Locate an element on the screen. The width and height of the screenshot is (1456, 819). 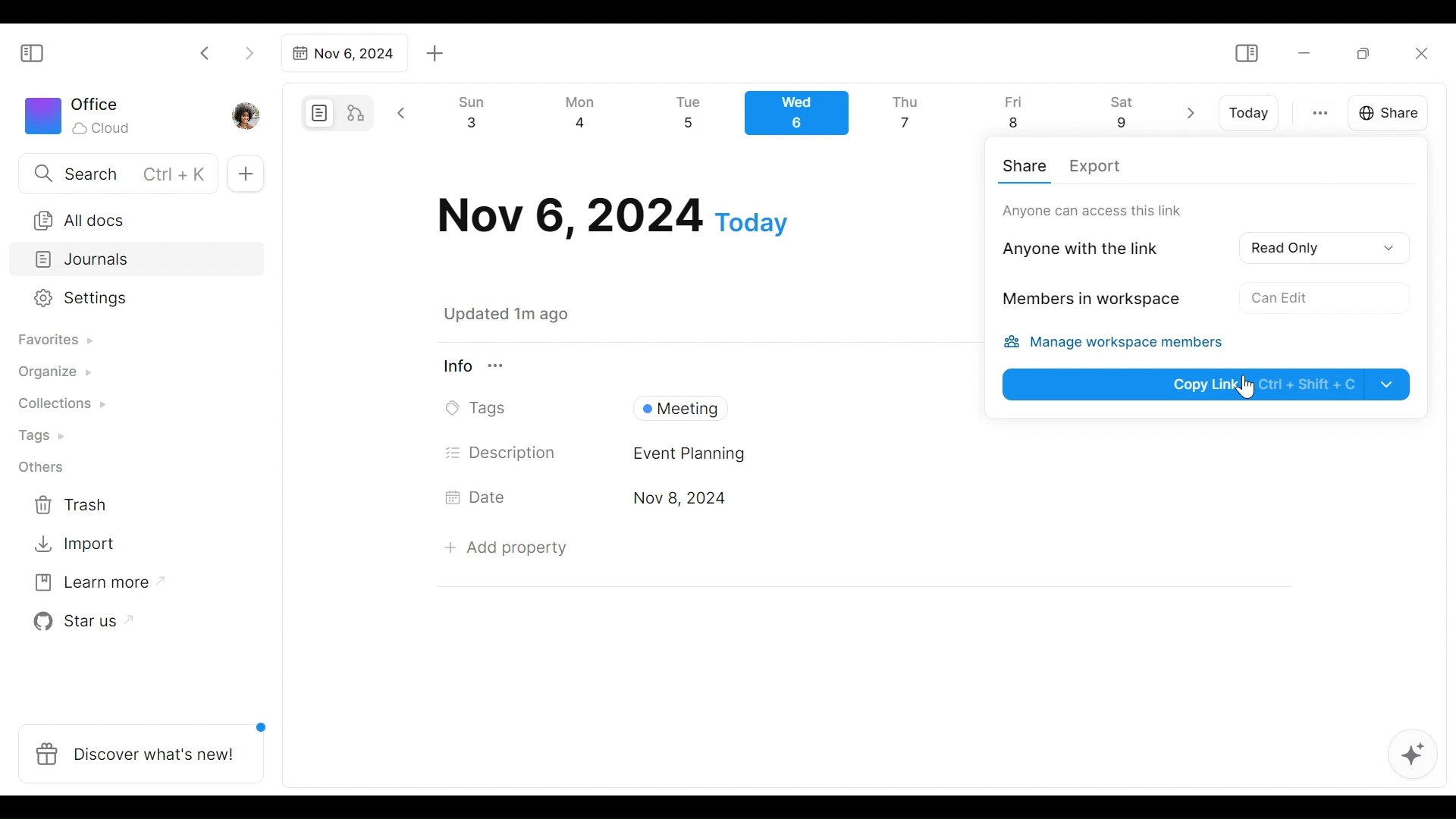
Profile photo is located at coordinates (247, 112).